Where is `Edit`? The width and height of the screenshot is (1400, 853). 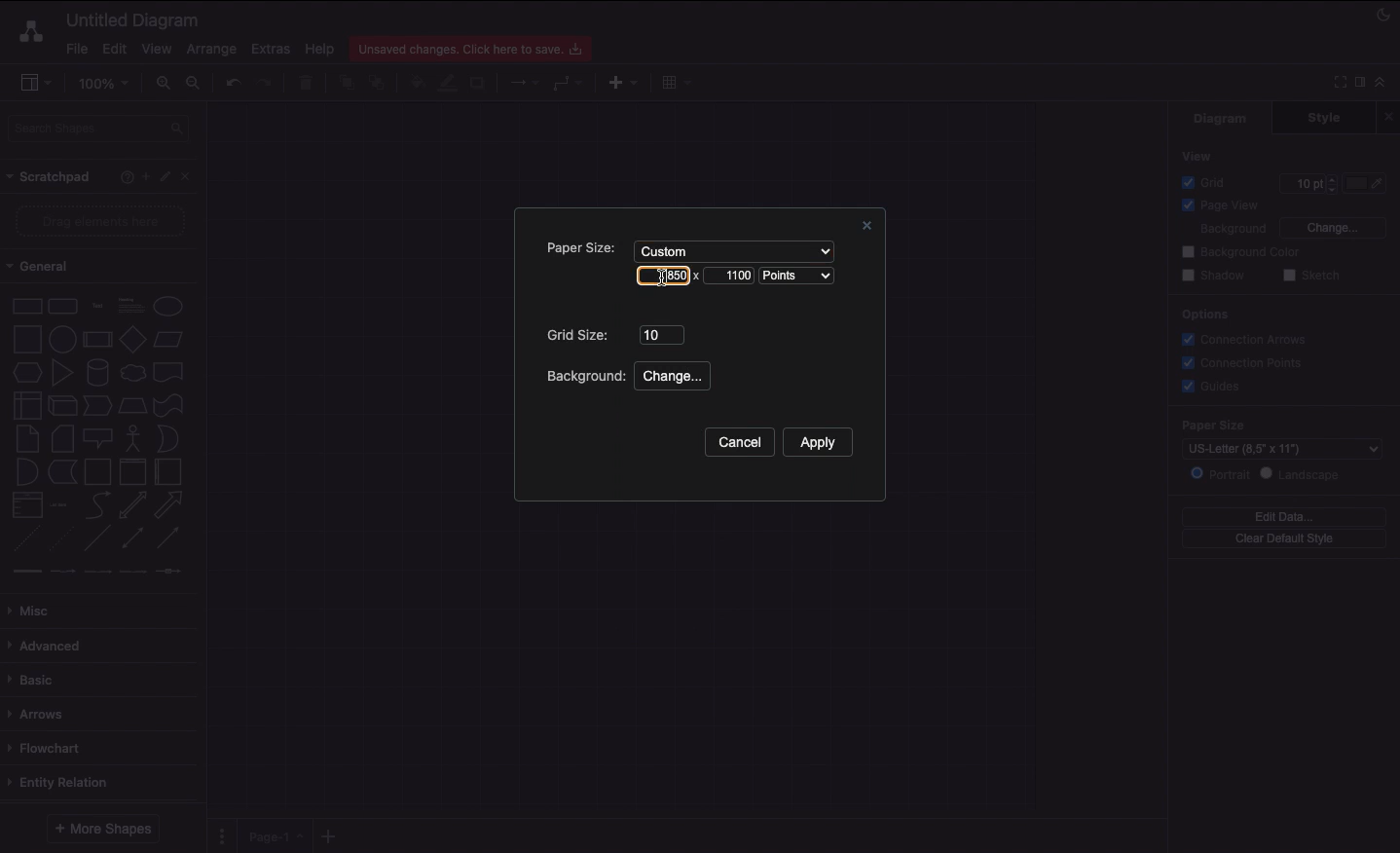 Edit is located at coordinates (167, 177).